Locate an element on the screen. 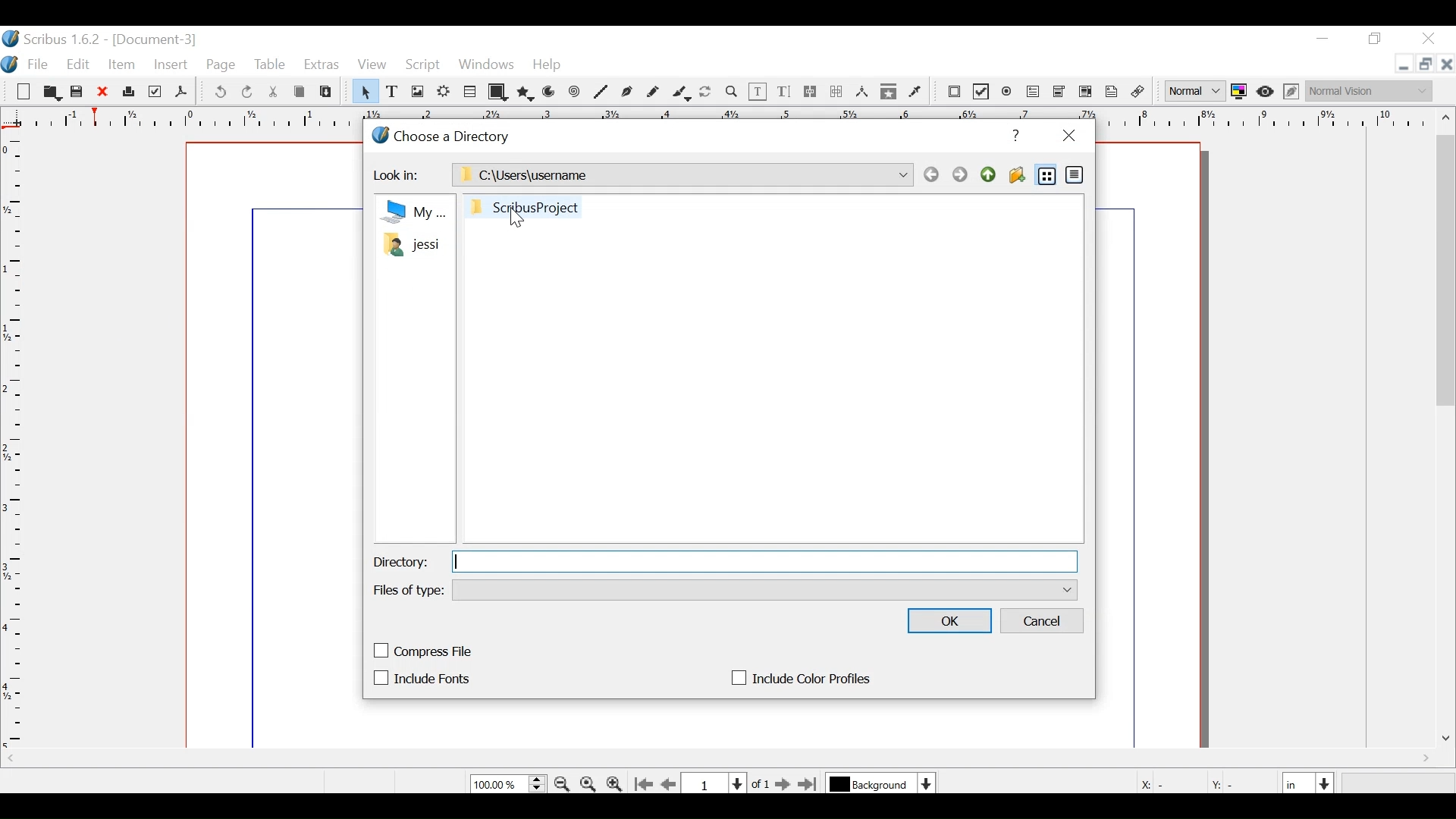  PDF Text Field is located at coordinates (1034, 93).